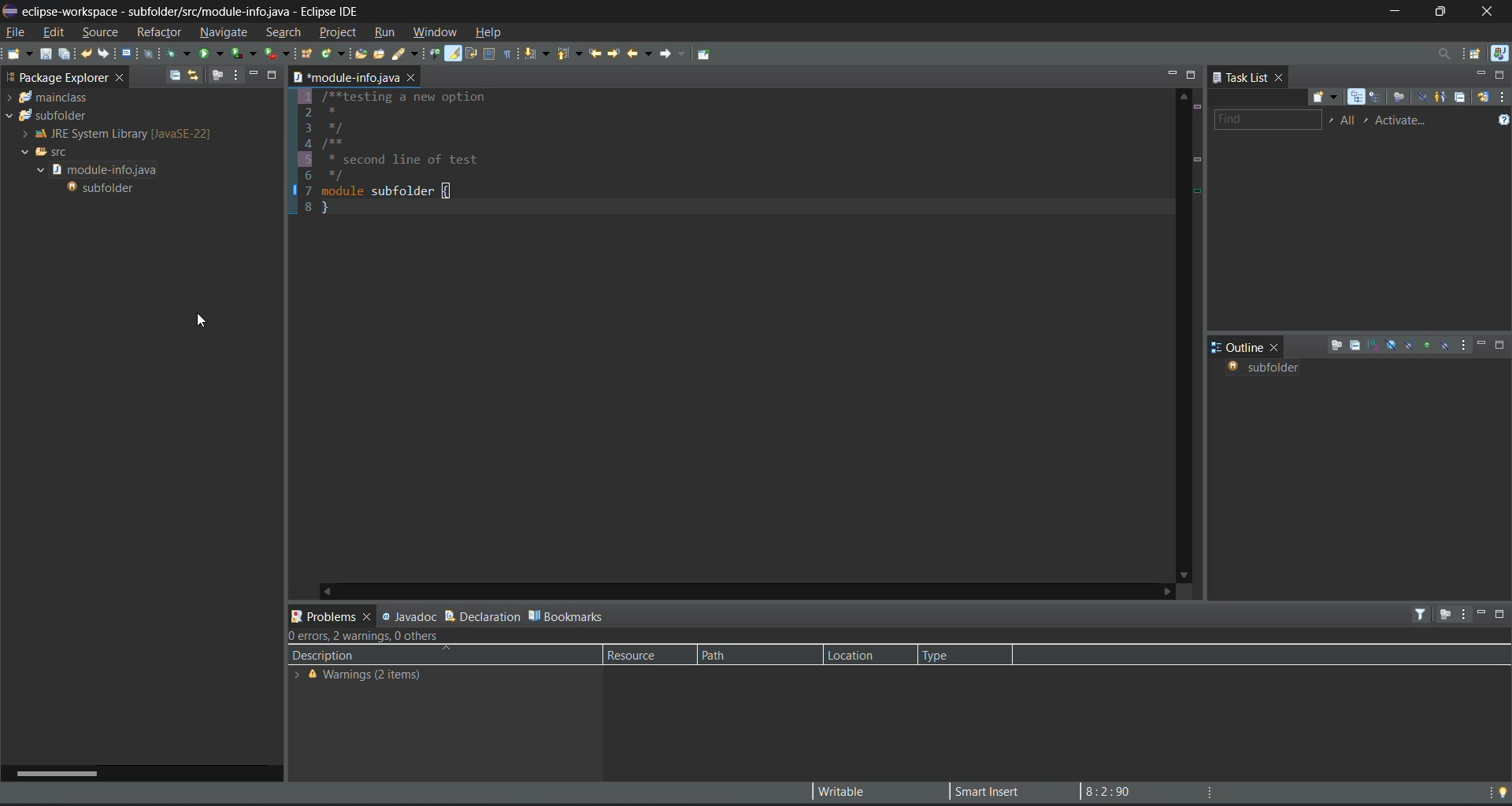 Image resolution: width=1512 pixels, height=806 pixels. Describe the element at coordinates (409, 57) in the screenshot. I see `search` at that location.